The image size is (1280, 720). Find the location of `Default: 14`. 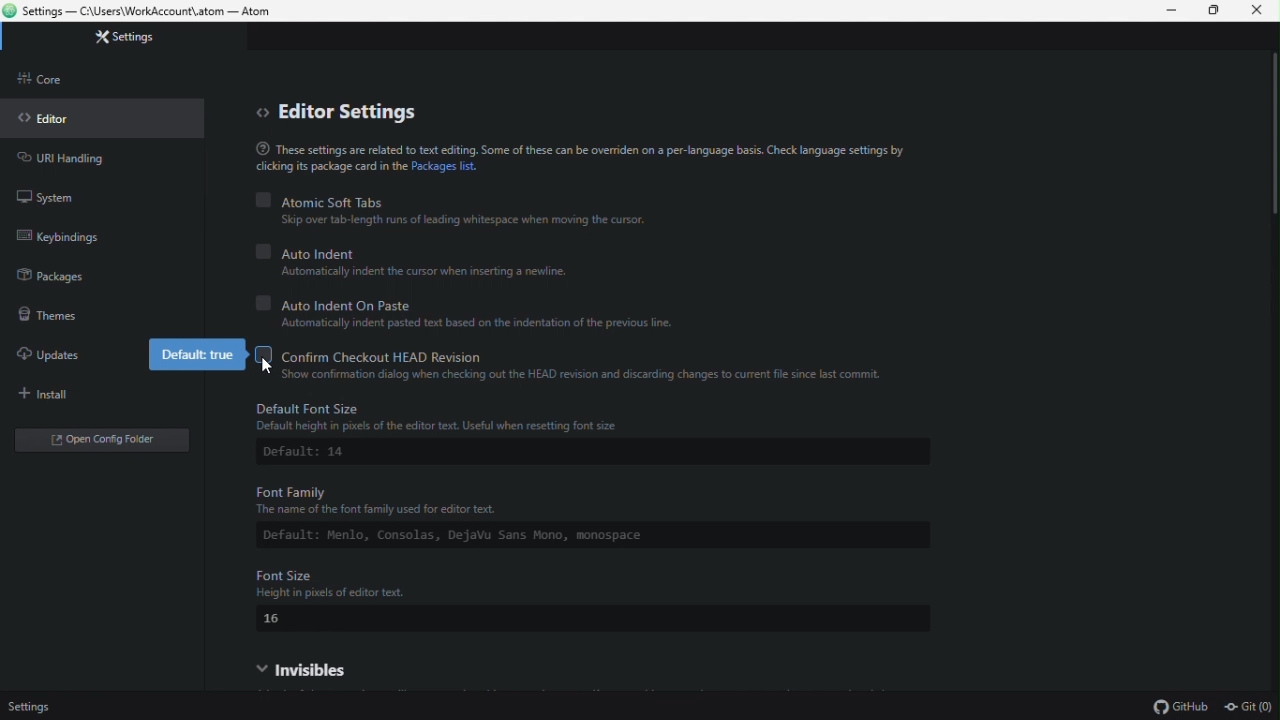

Default: 14 is located at coordinates (315, 453).